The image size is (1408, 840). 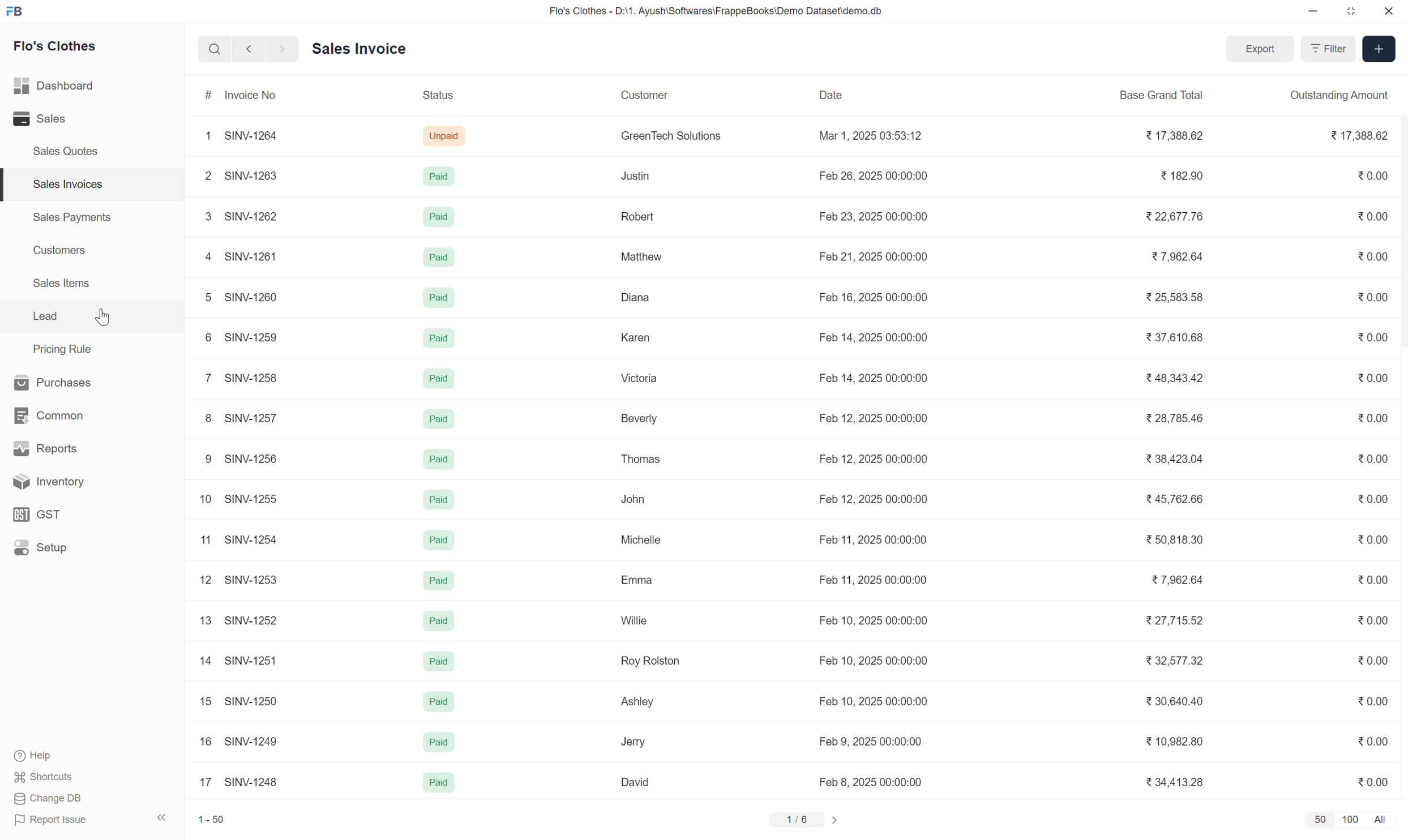 I want to click on Feb 14, 2025 00:00:00, so click(x=872, y=378).